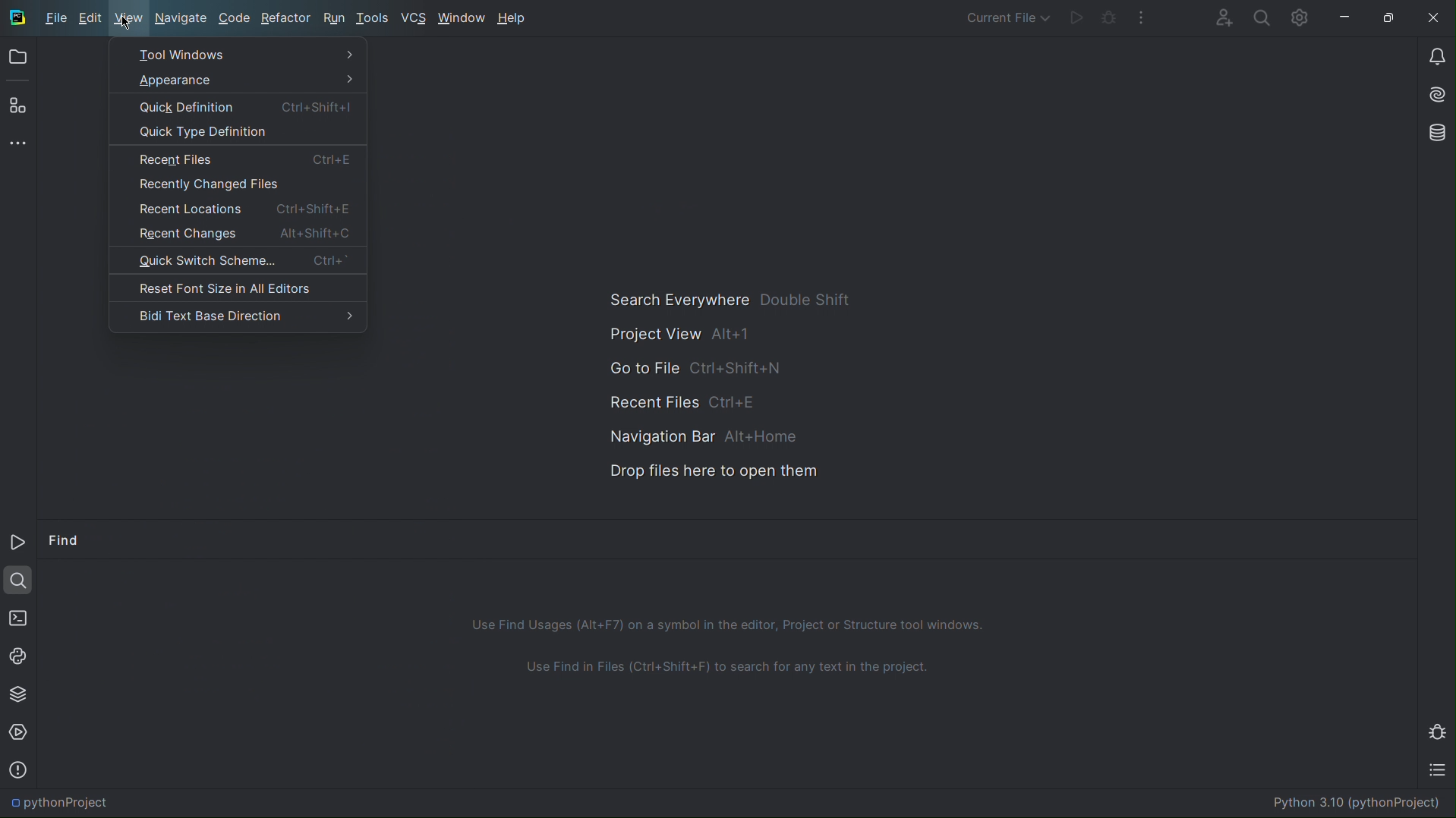 The height and width of the screenshot is (818, 1456). I want to click on pythonProject, so click(60, 803).